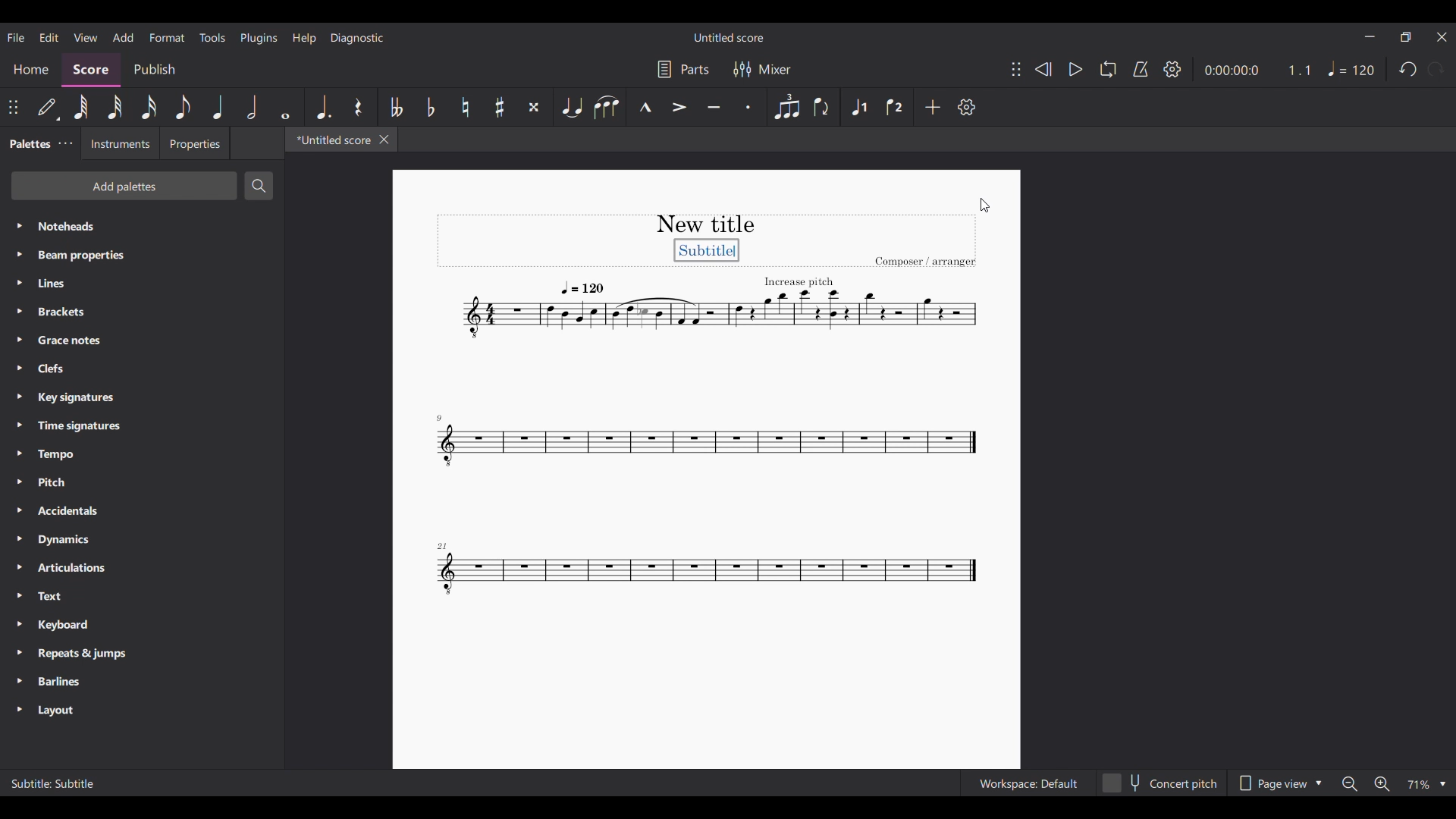 The width and height of the screenshot is (1456, 819). Describe the element at coordinates (934, 107) in the screenshot. I see `Add` at that location.